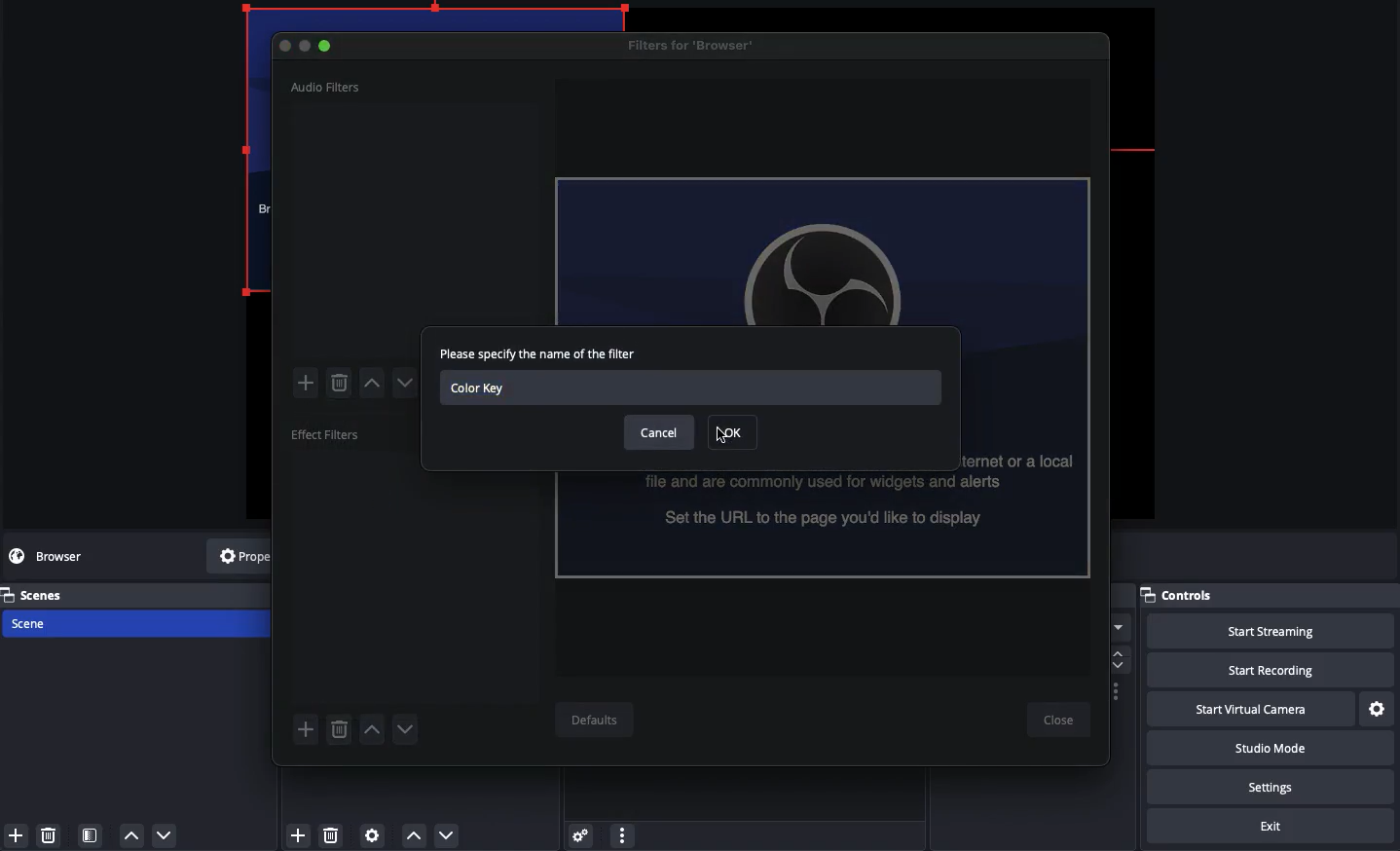 This screenshot has width=1400, height=851. What do you see at coordinates (1376, 710) in the screenshot?
I see `Settings` at bounding box center [1376, 710].